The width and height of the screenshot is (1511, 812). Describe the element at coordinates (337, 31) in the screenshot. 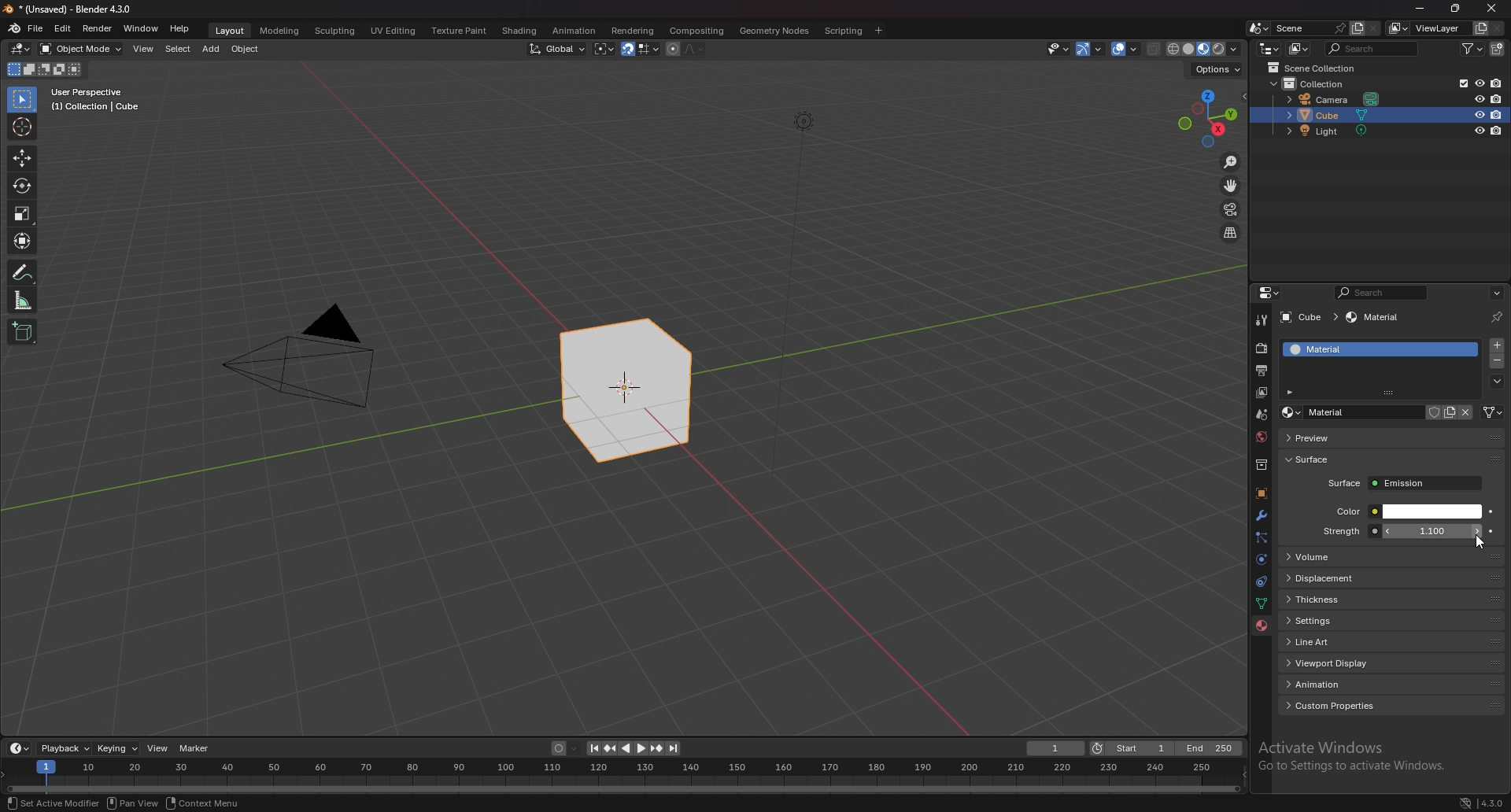

I see `scrulpting` at that location.